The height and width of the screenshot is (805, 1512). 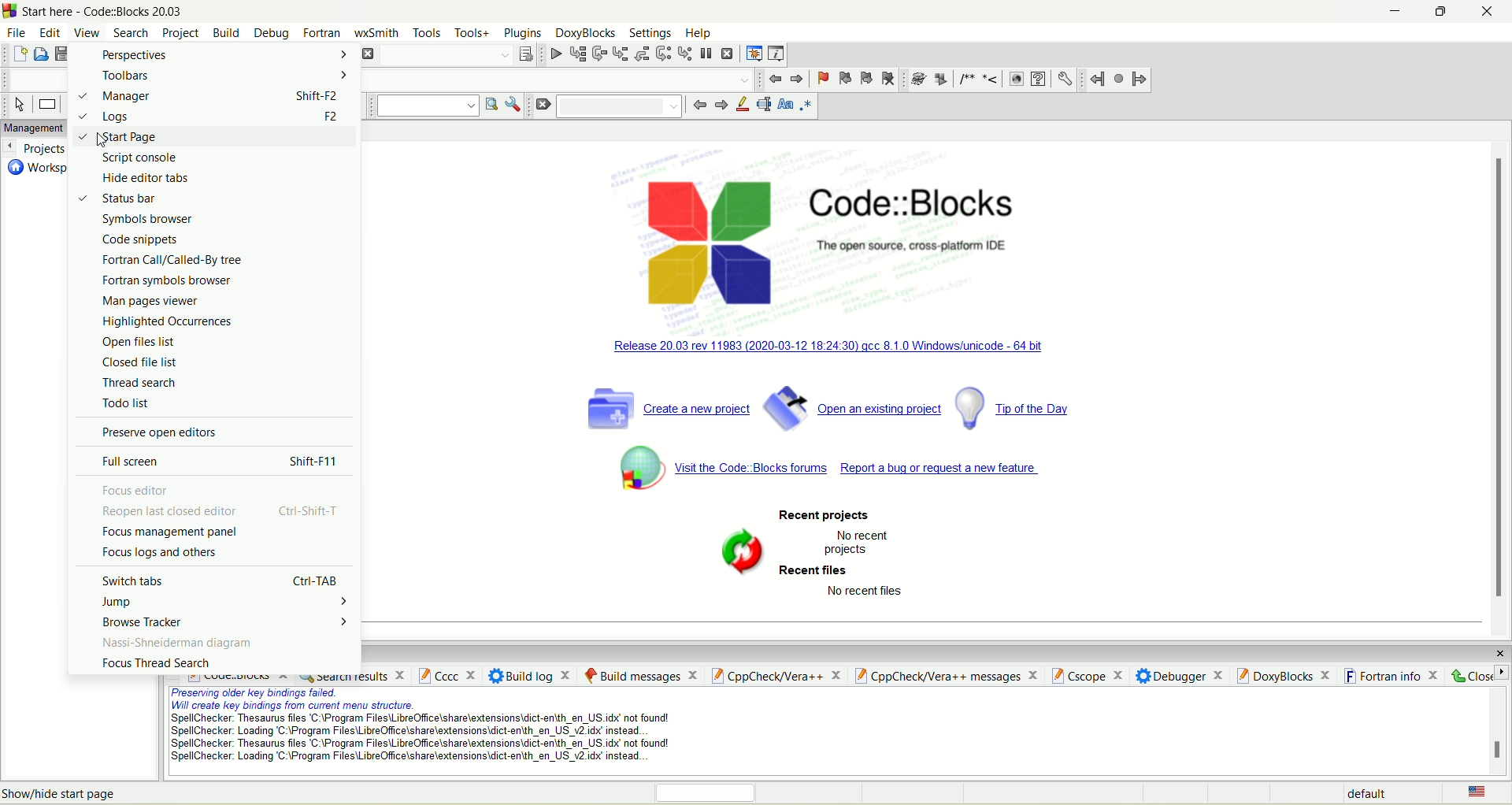 I want to click on clear, so click(x=546, y=109).